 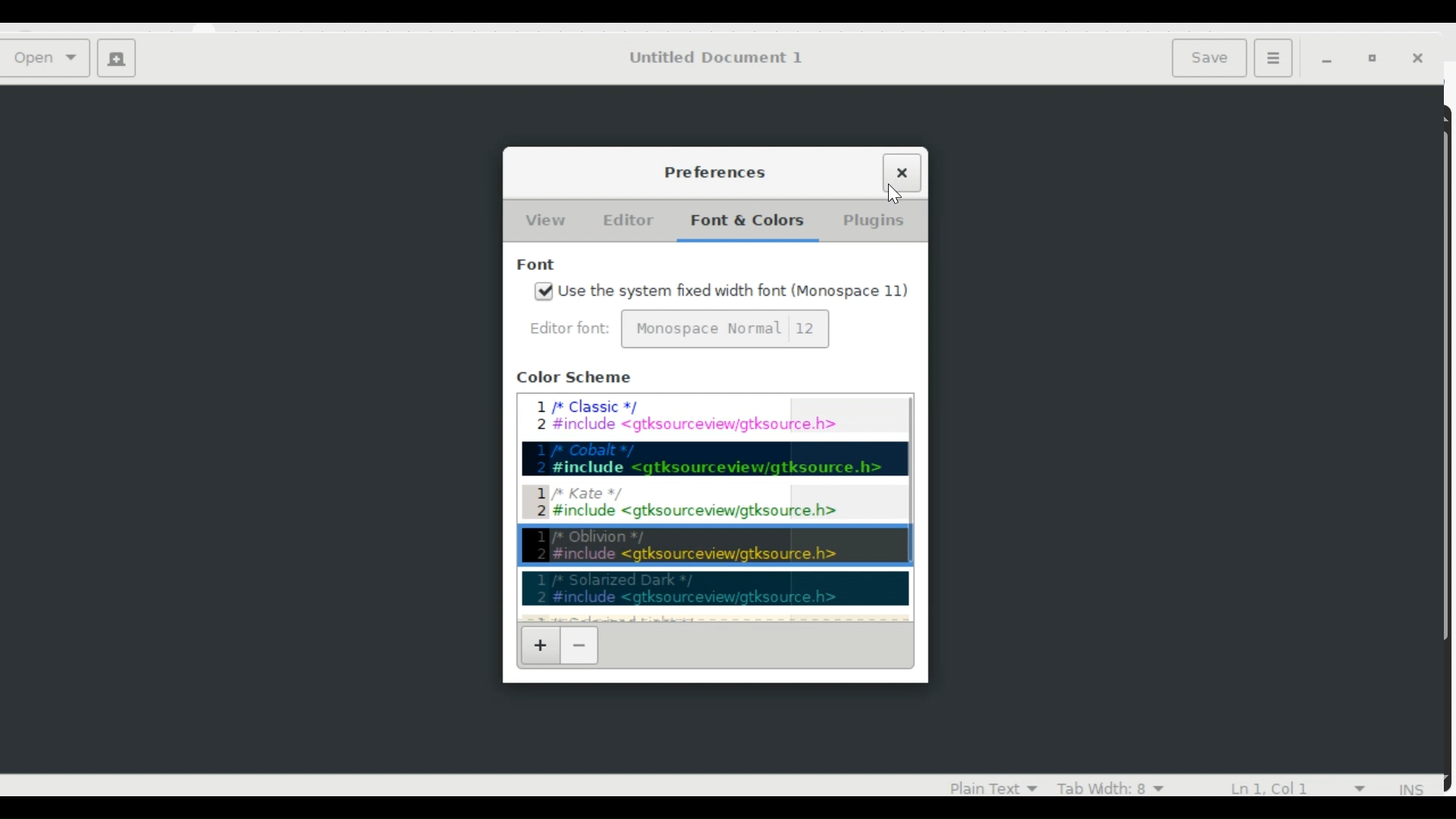 I want to click on Editor Font, so click(x=572, y=328).